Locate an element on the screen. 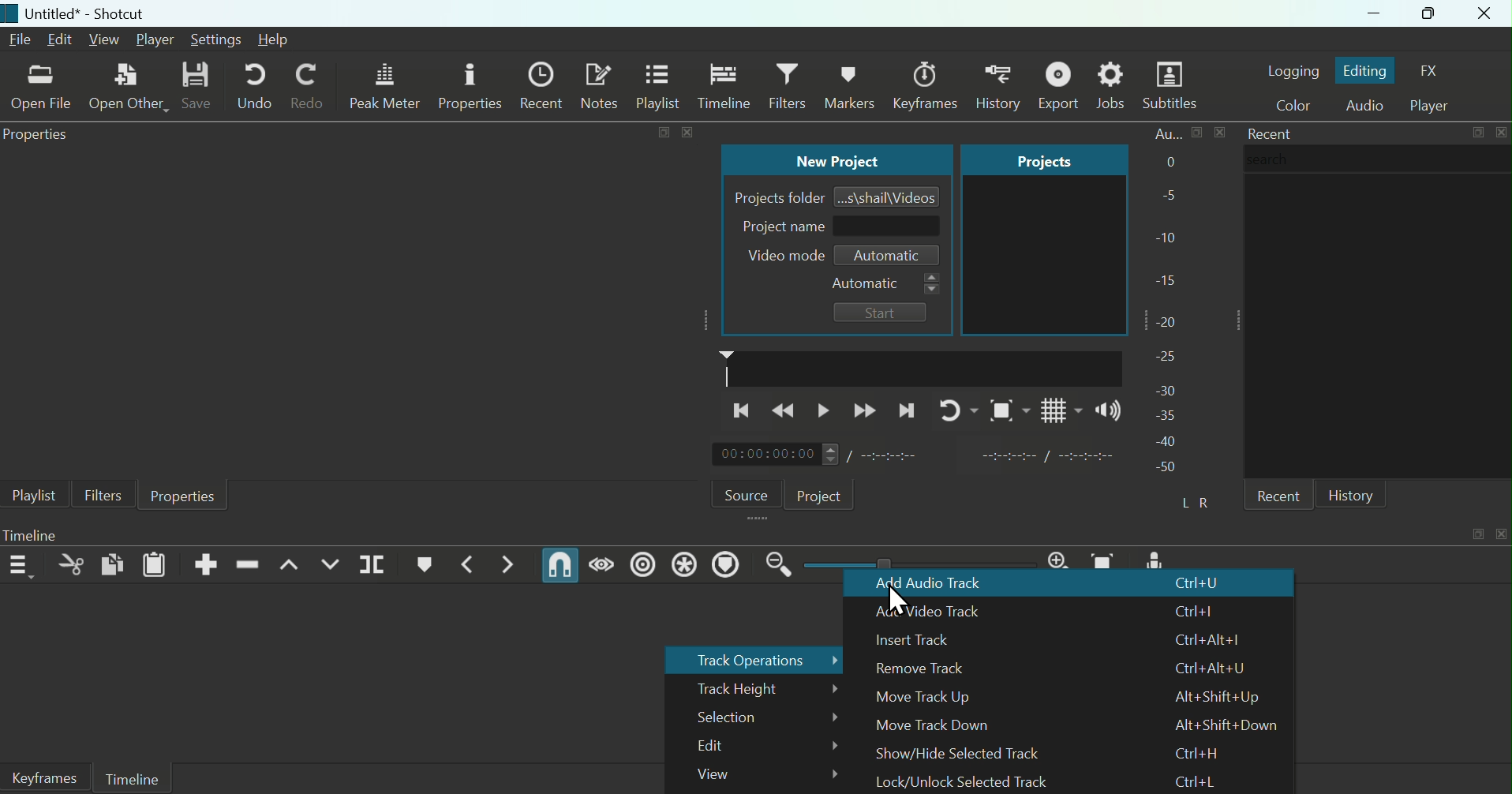 This screenshot has width=1512, height=794. Recent is located at coordinates (545, 85).